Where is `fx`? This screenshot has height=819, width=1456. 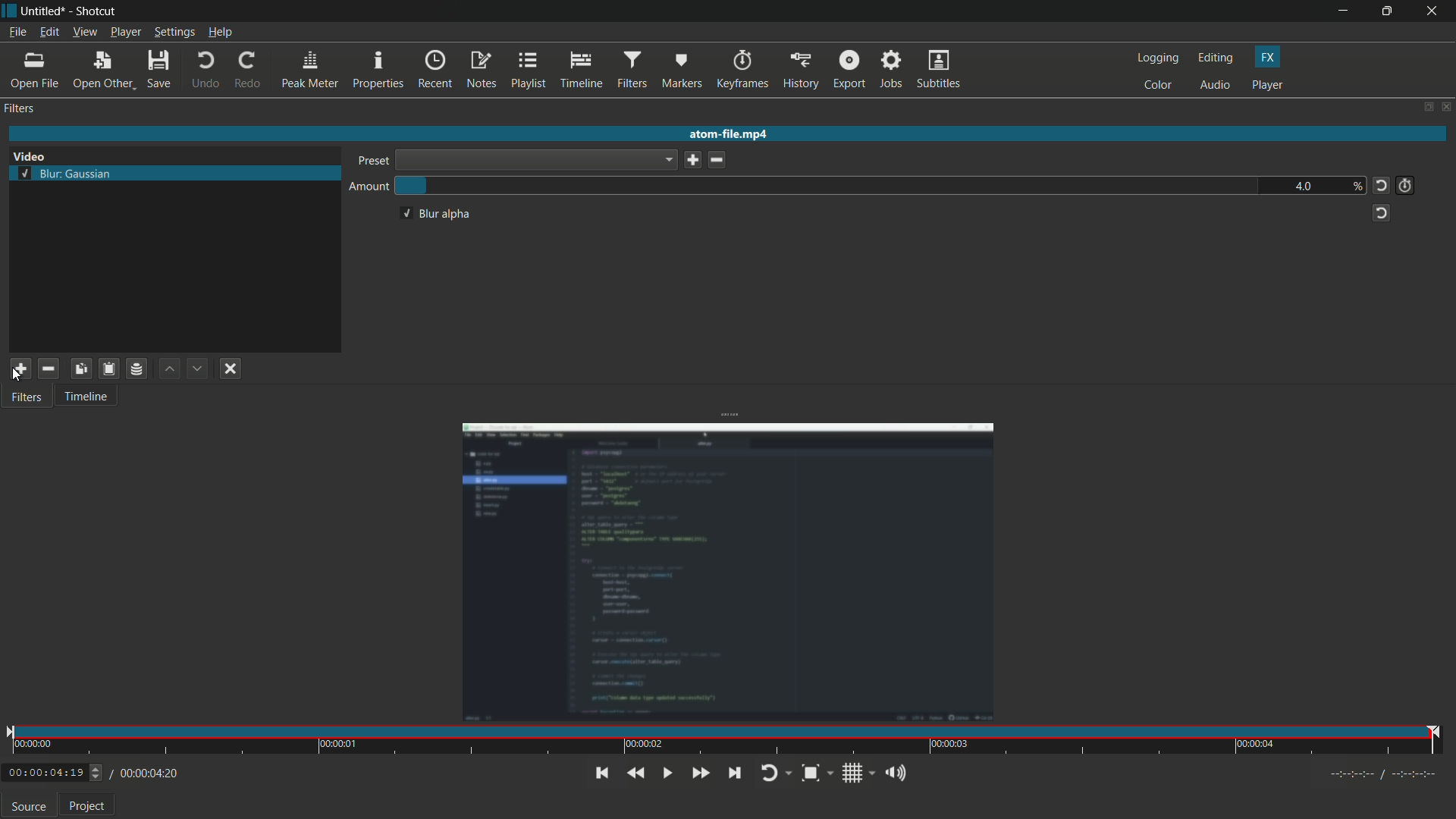
fx is located at coordinates (1268, 58).